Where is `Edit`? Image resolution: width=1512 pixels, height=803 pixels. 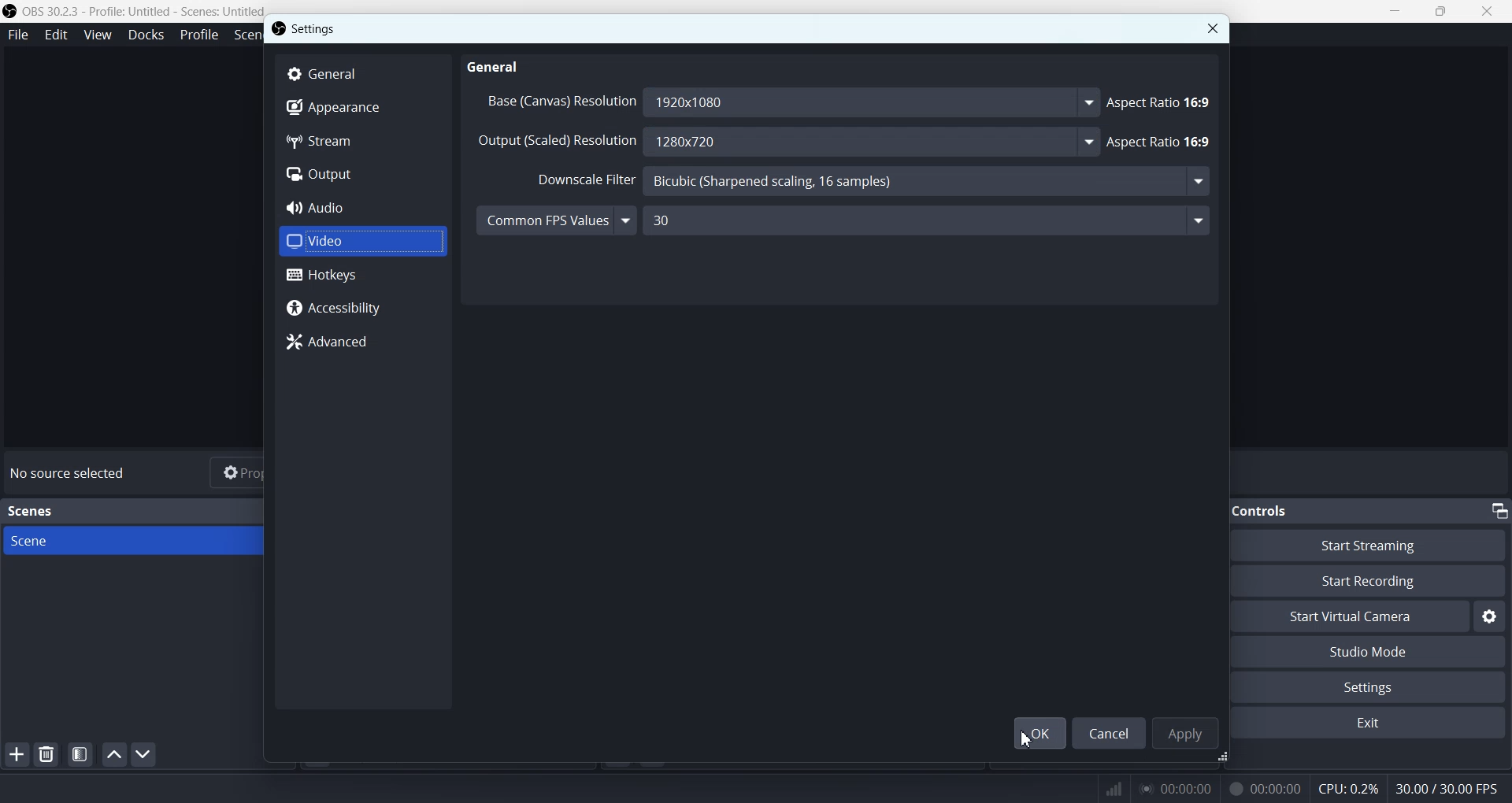
Edit is located at coordinates (56, 35).